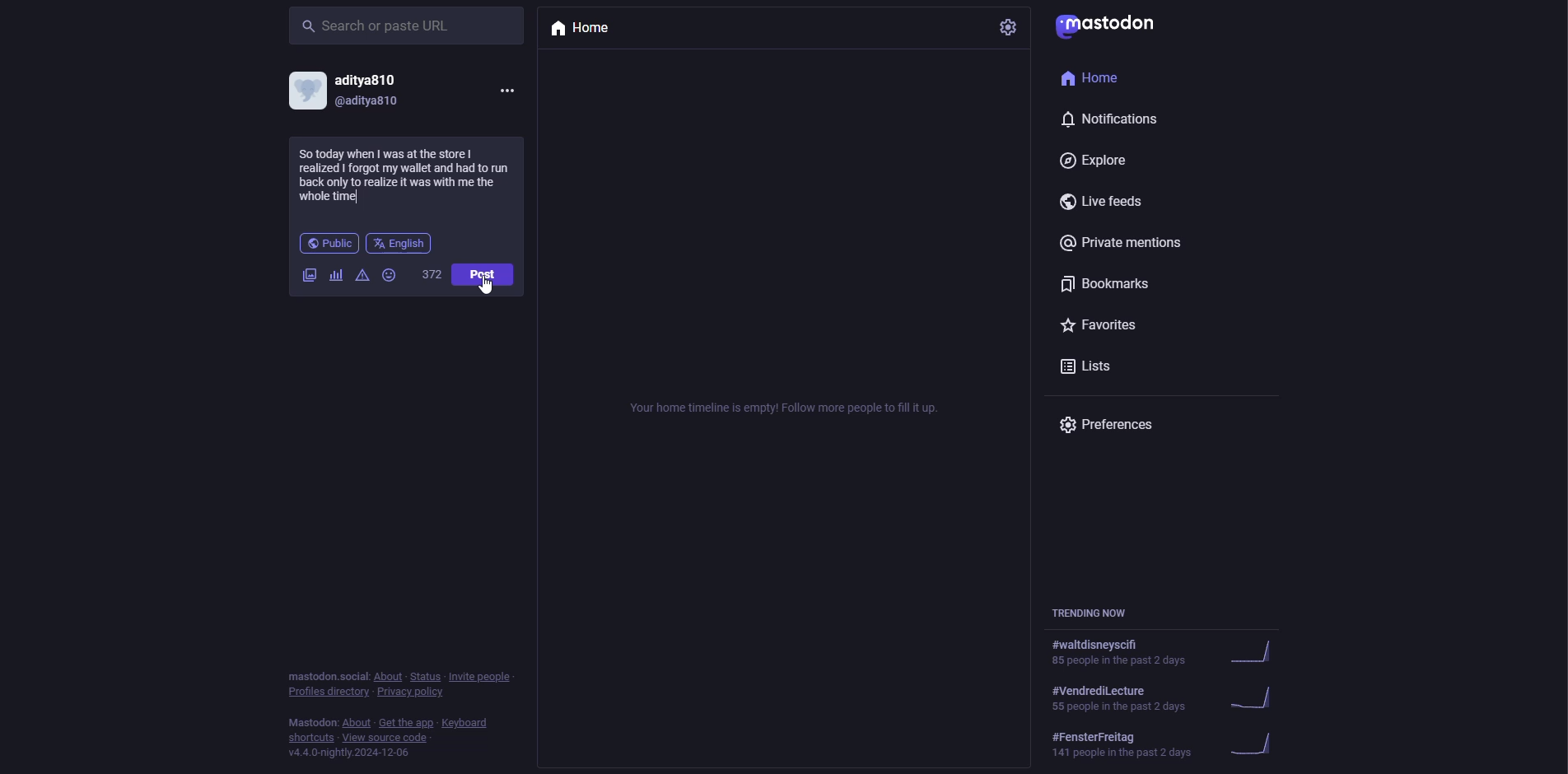 The width and height of the screenshot is (1568, 774). I want to click on post, so click(482, 275).